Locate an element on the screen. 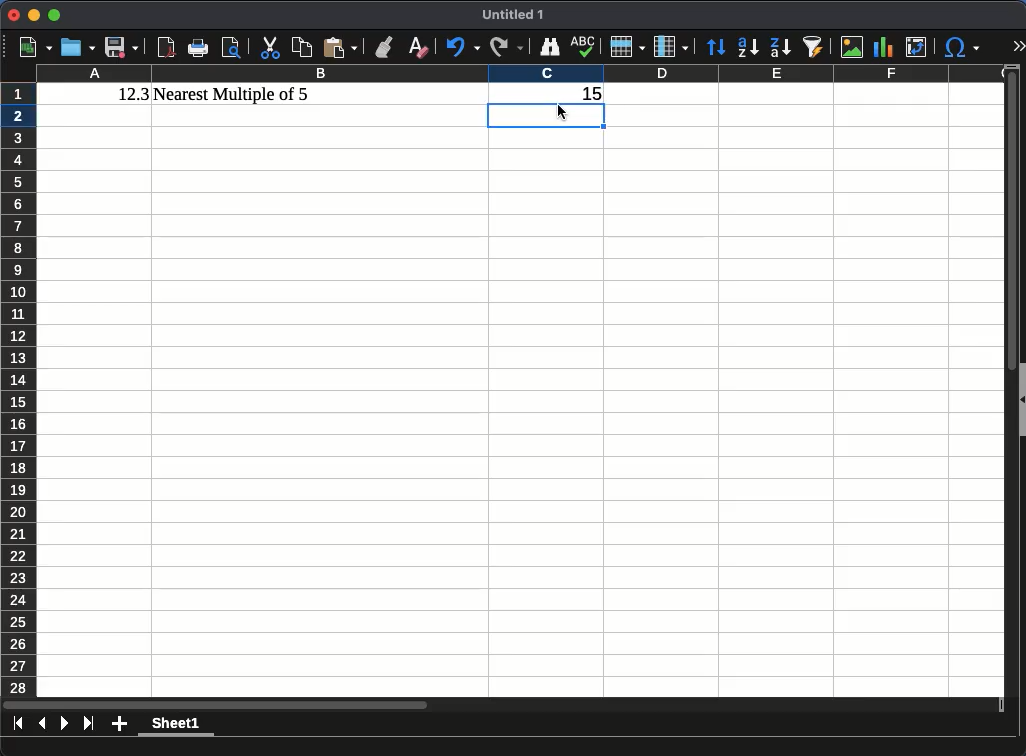  untitled 1 is located at coordinates (513, 15).